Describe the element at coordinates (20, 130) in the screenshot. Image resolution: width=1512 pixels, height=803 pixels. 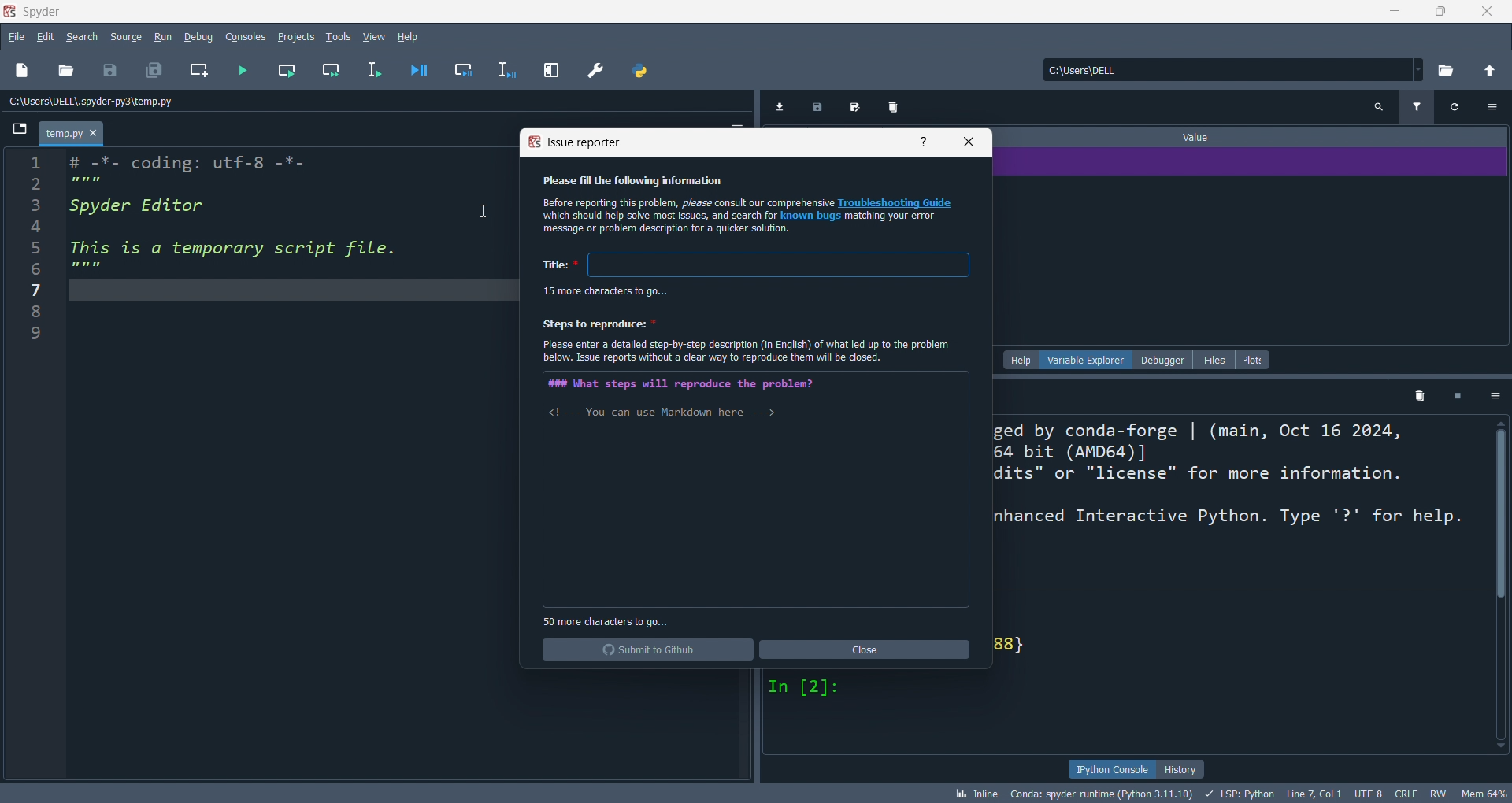
I see `File` at that location.